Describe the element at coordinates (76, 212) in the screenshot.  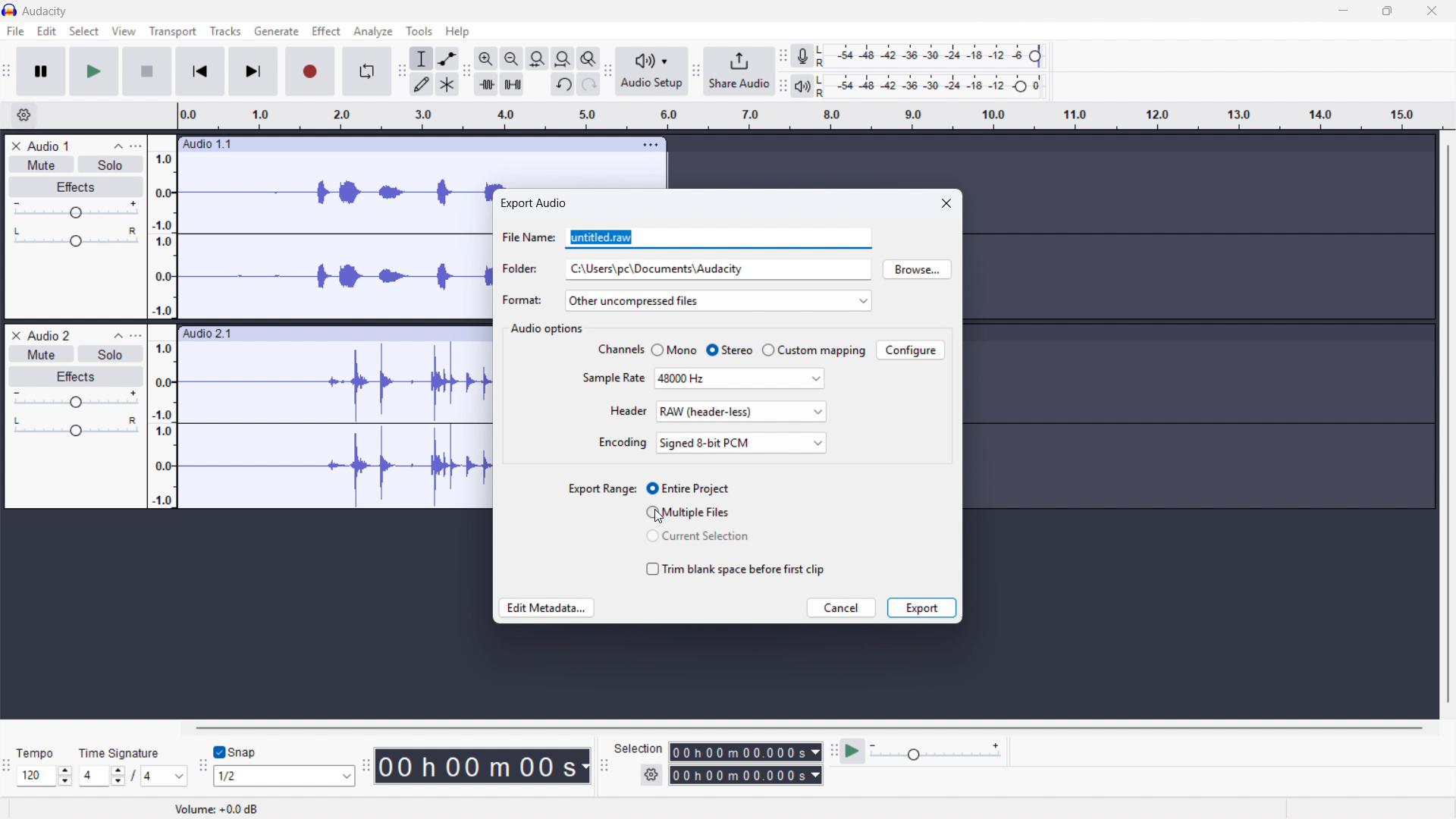
I see `Gain` at that location.